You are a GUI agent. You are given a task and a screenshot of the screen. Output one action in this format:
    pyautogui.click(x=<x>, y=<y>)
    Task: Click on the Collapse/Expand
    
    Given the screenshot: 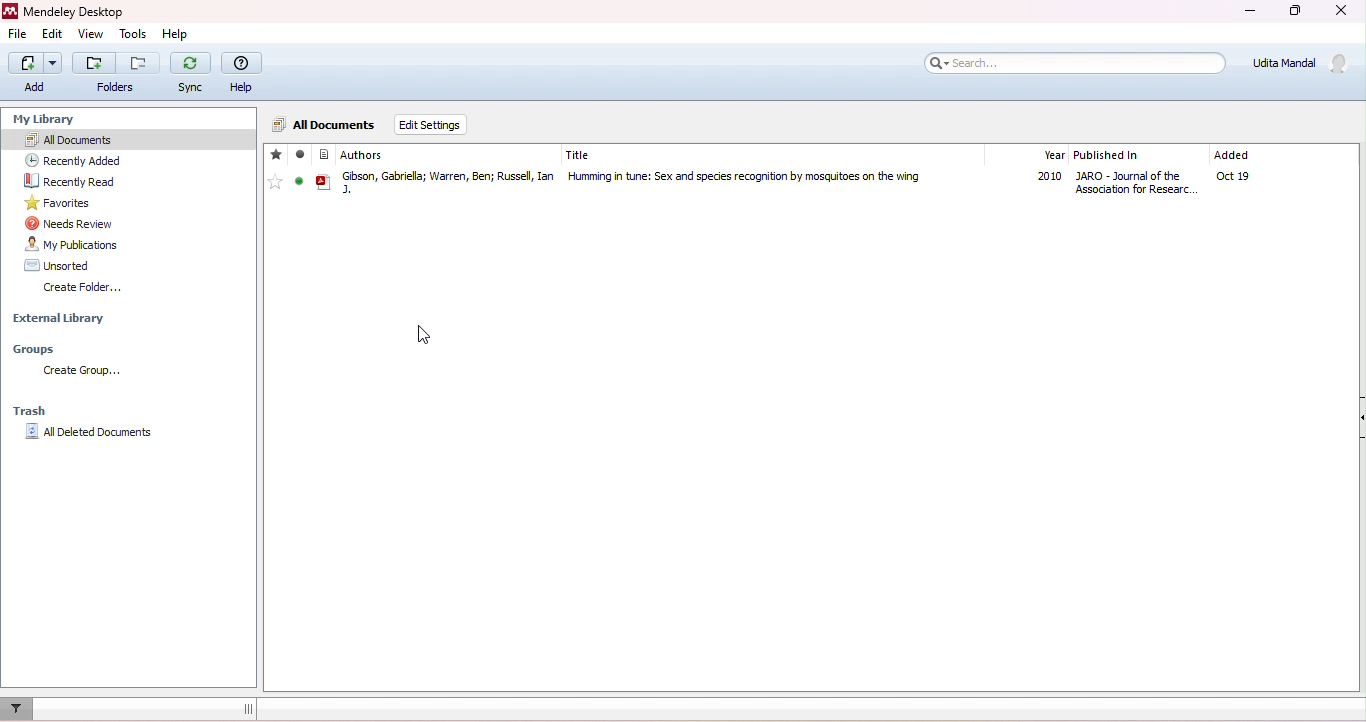 What is the action you would take?
    pyautogui.click(x=1362, y=417)
    